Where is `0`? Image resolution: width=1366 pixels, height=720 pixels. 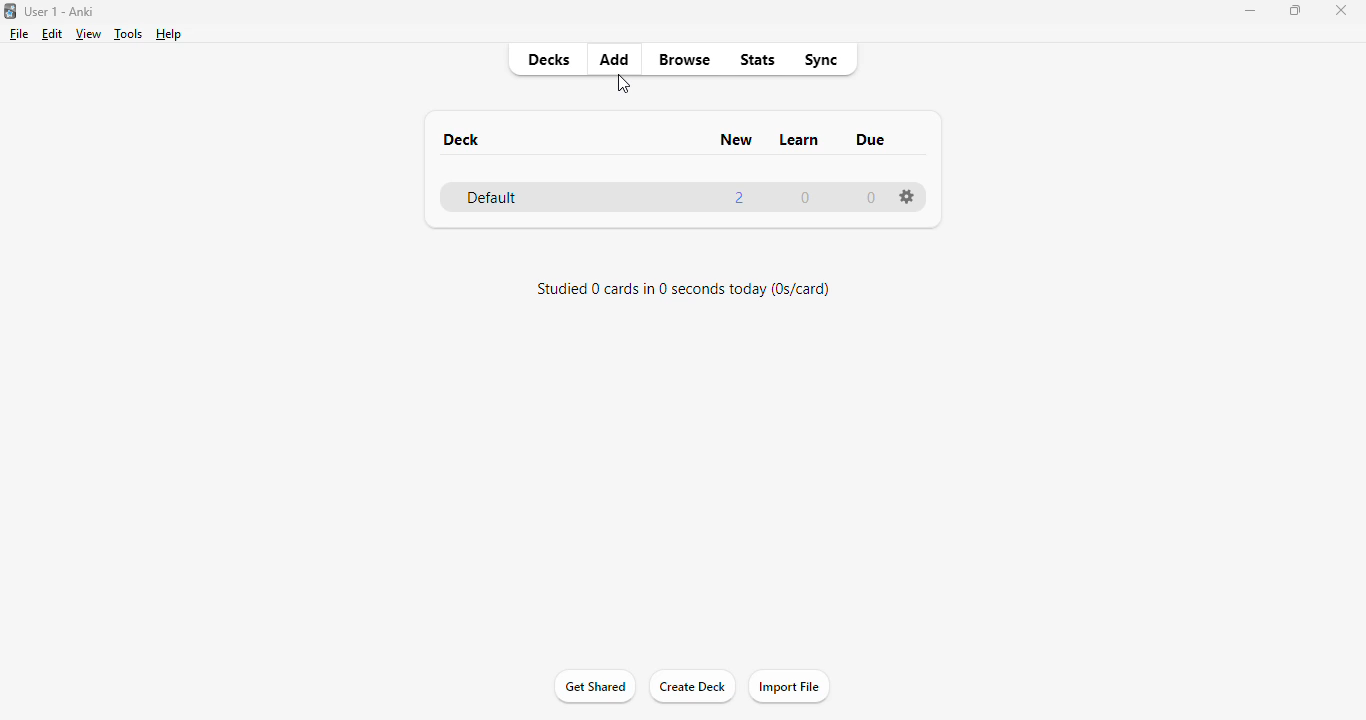
0 is located at coordinates (871, 197).